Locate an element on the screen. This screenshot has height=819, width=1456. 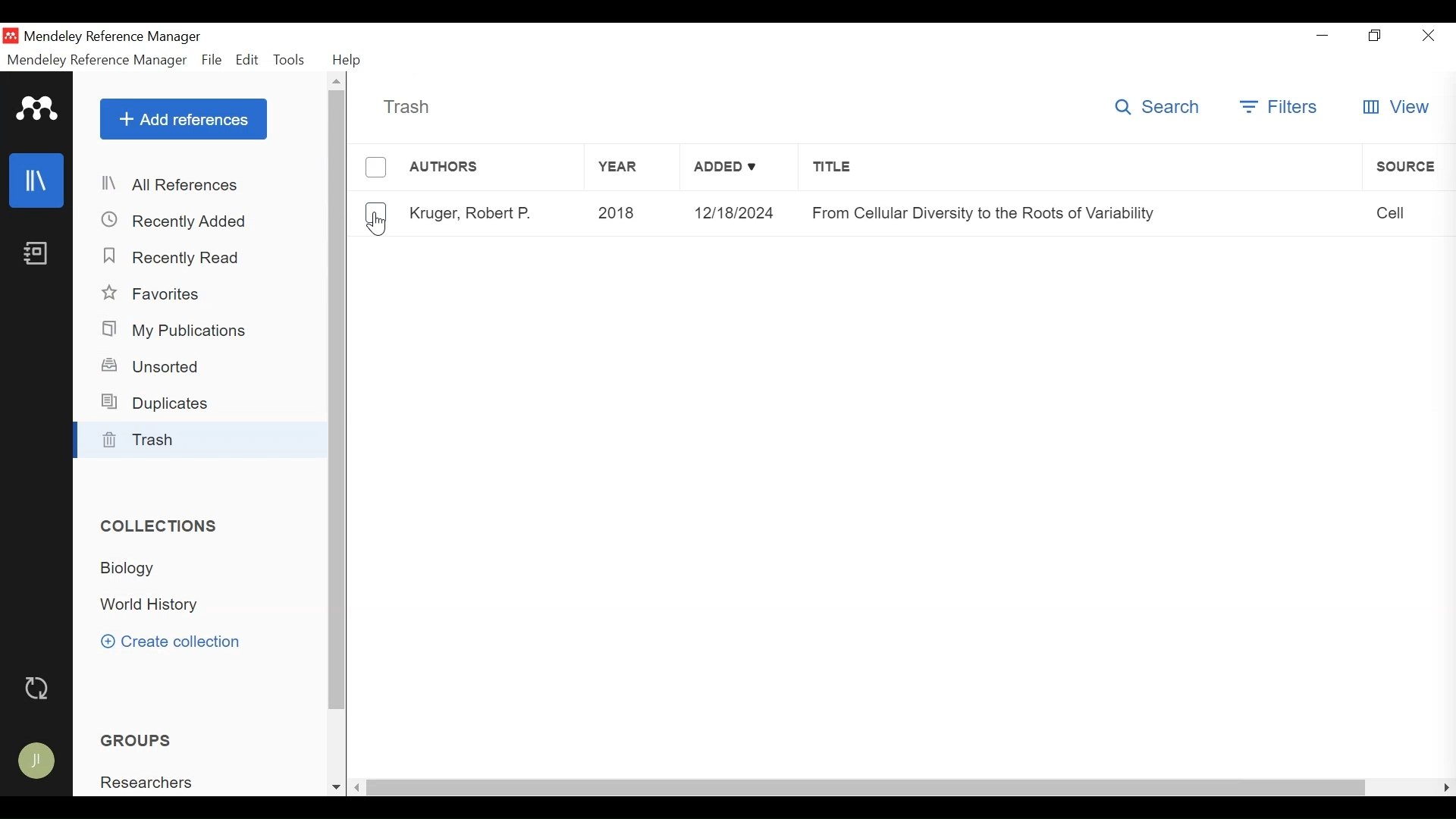
Trash is located at coordinates (202, 439).